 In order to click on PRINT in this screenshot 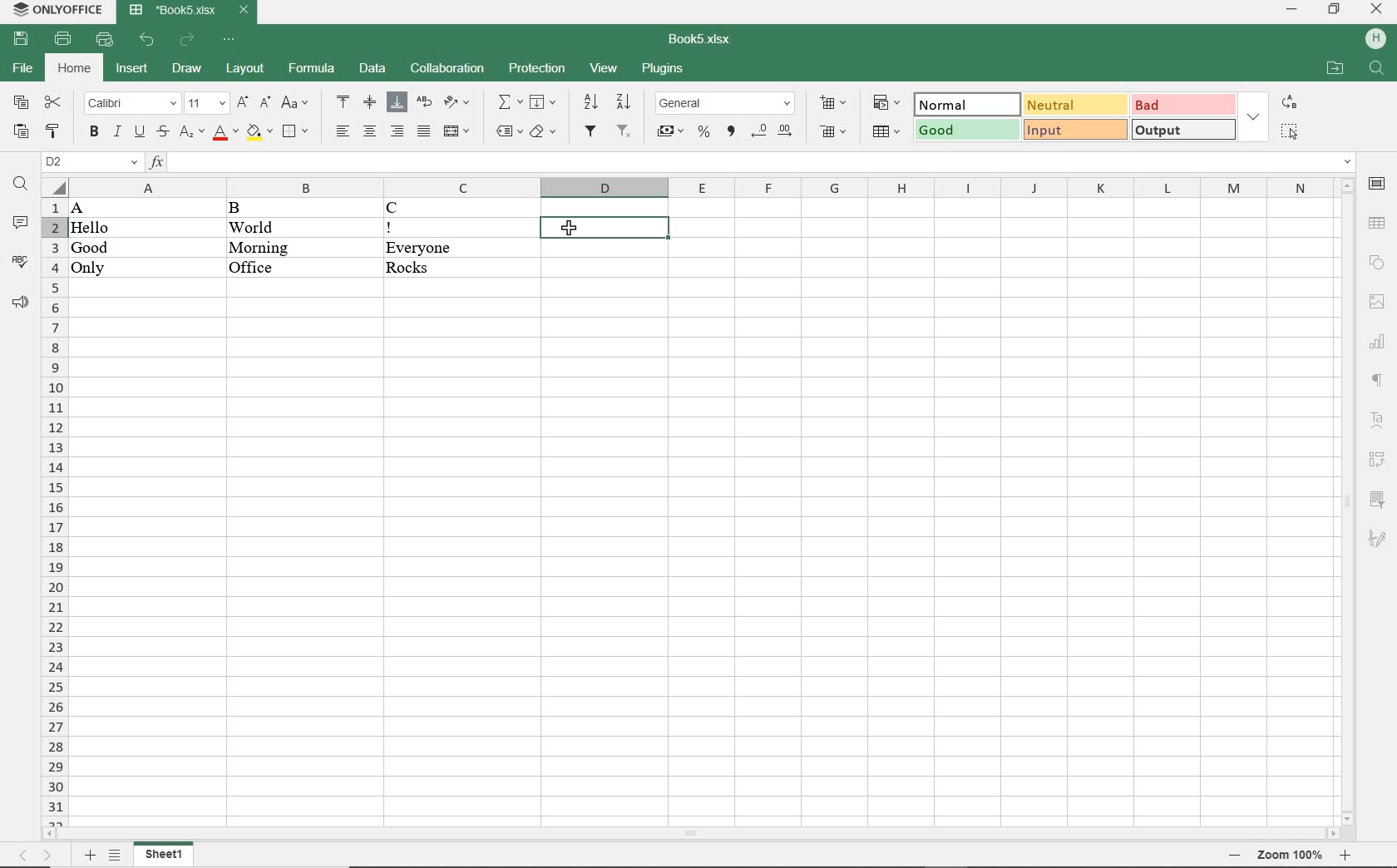, I will do `click(63, 40)`.